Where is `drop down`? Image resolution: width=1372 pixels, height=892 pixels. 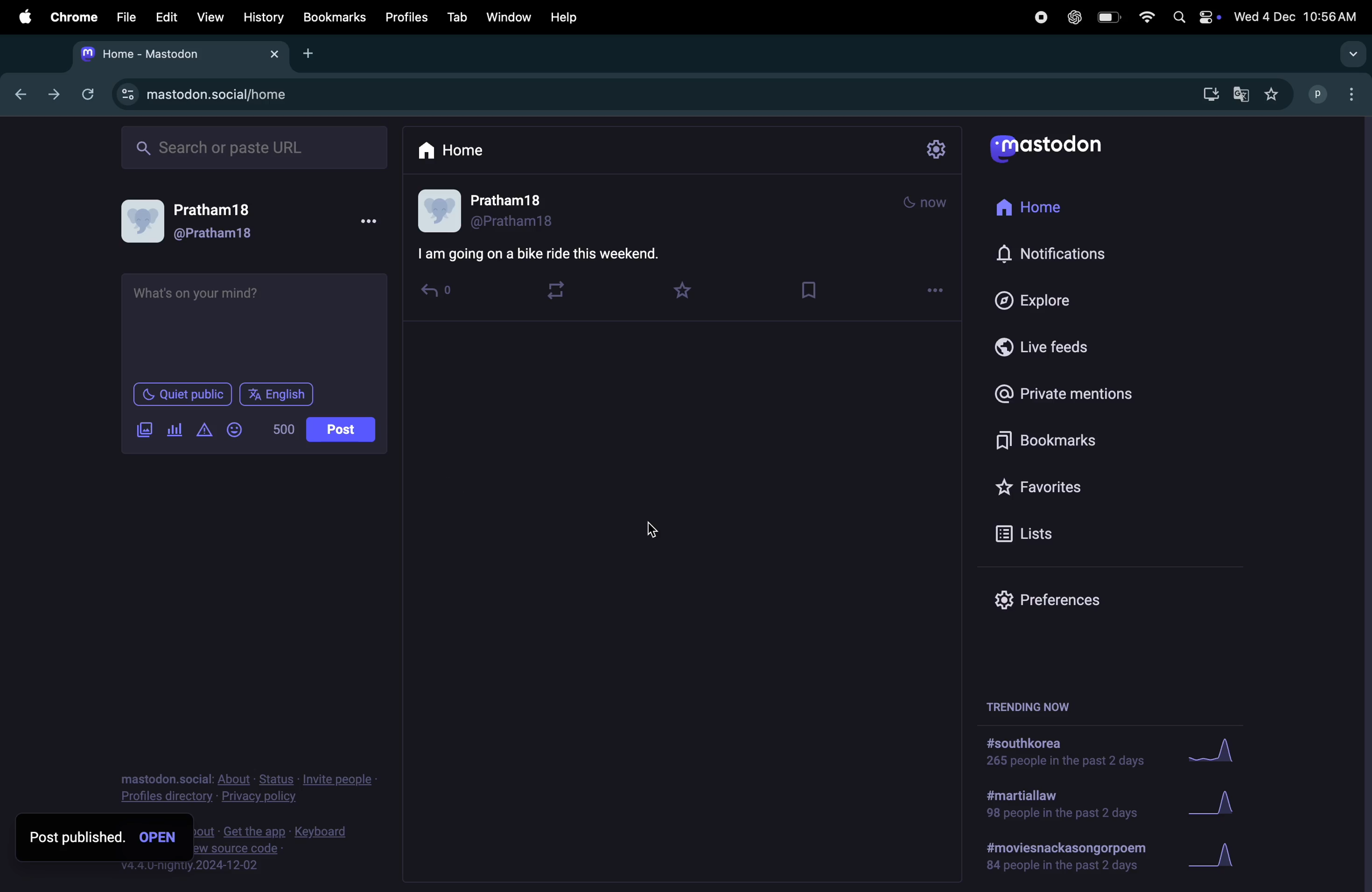
drop down is located at coordinates (1349, 54).